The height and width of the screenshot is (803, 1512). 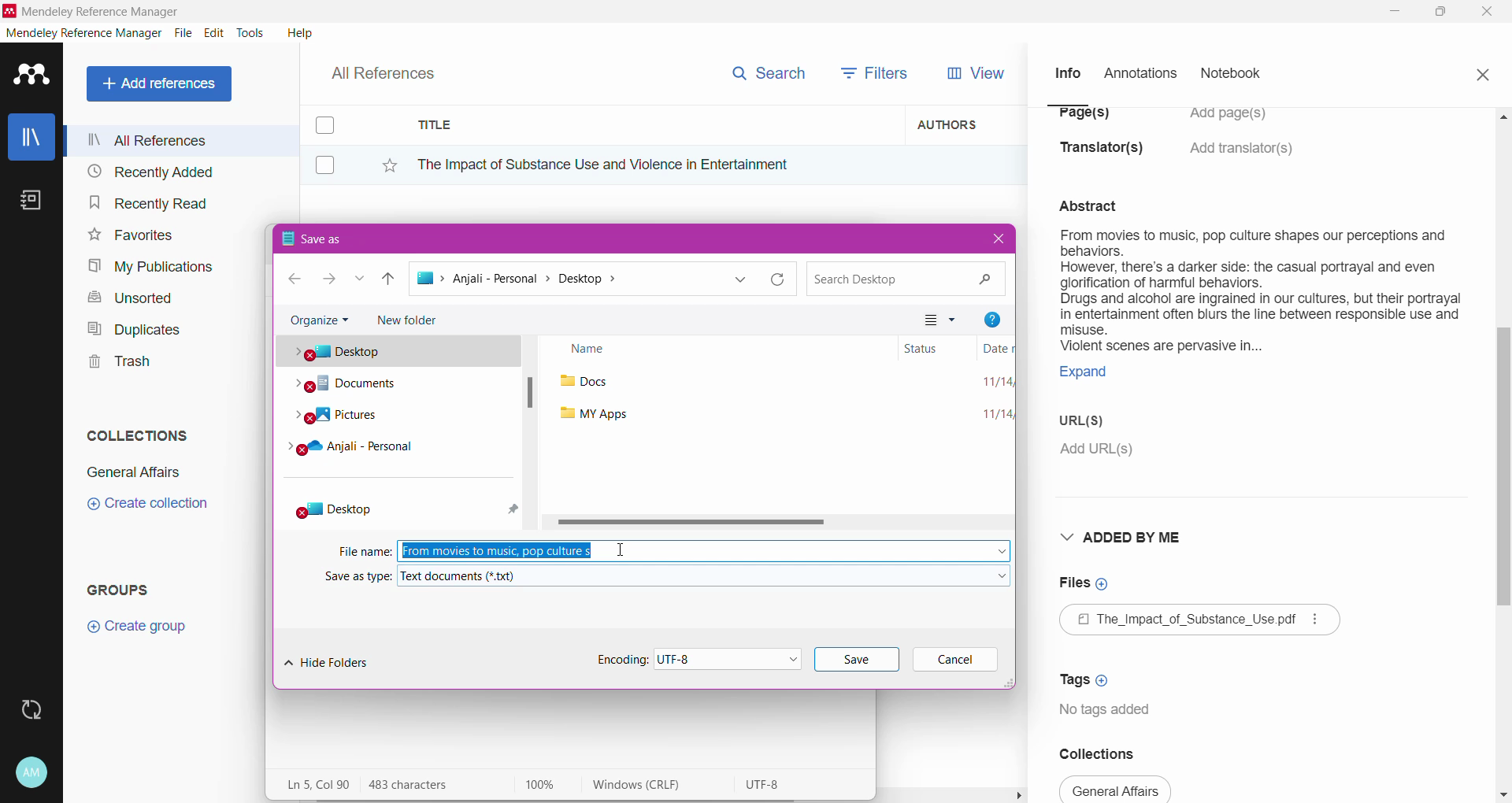 I want to click on Trash, so click(x=115, y=364).